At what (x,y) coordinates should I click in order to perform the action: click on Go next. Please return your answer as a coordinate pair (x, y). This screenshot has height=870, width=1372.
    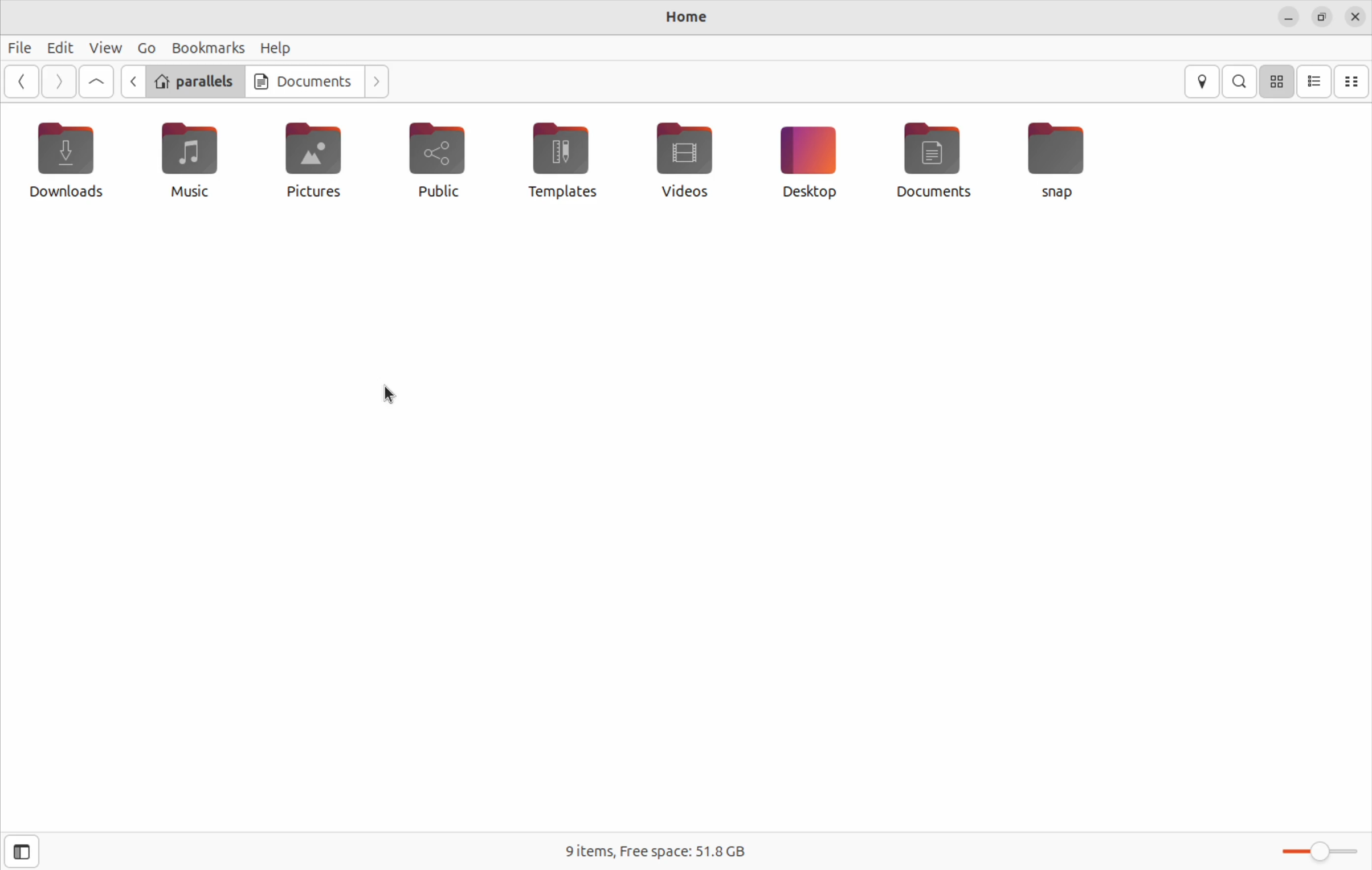
    Looking at the image, I should click on (59, 82).